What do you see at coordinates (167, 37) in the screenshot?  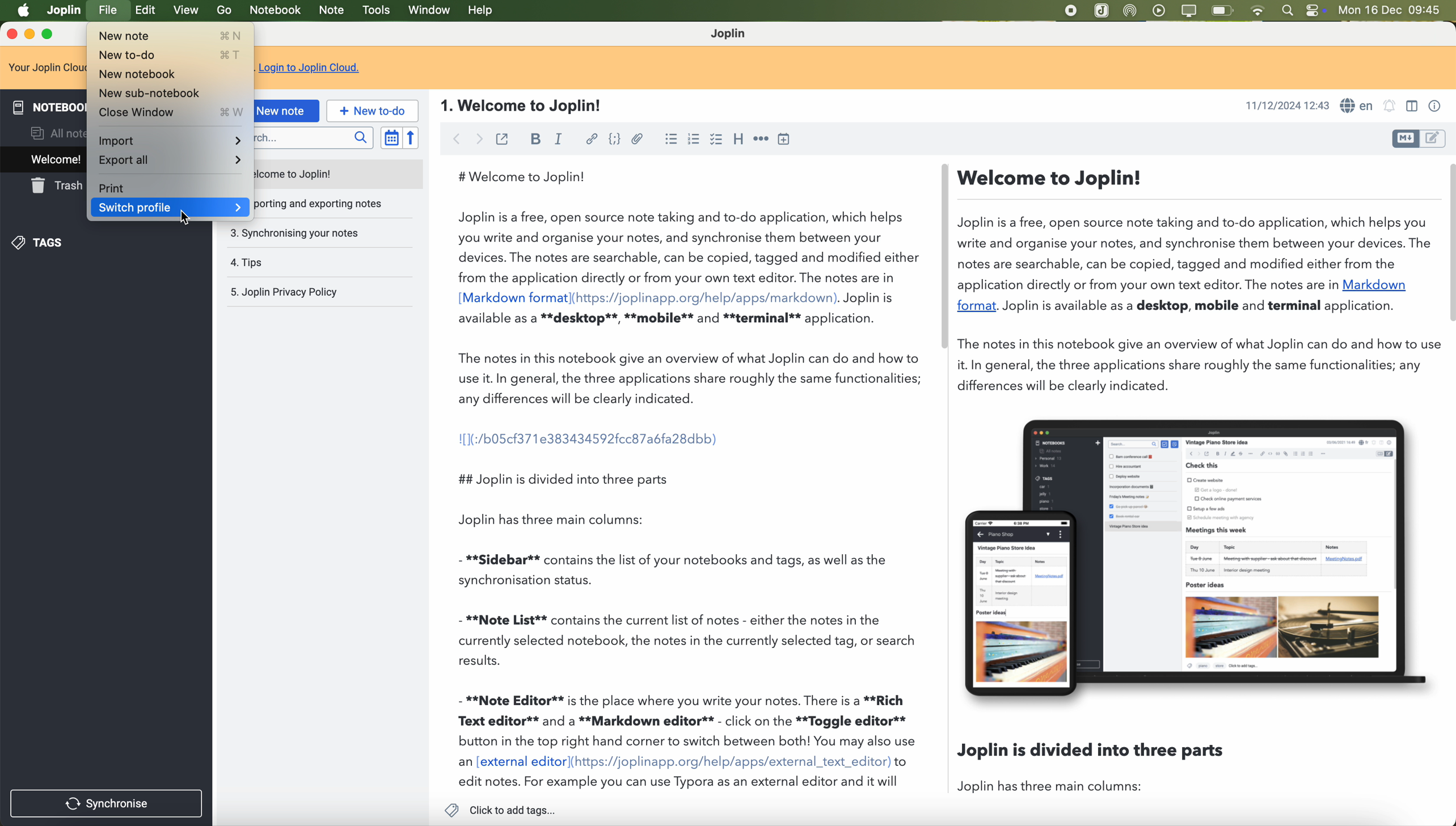 I see `New note` at bounding box center [167, 37].